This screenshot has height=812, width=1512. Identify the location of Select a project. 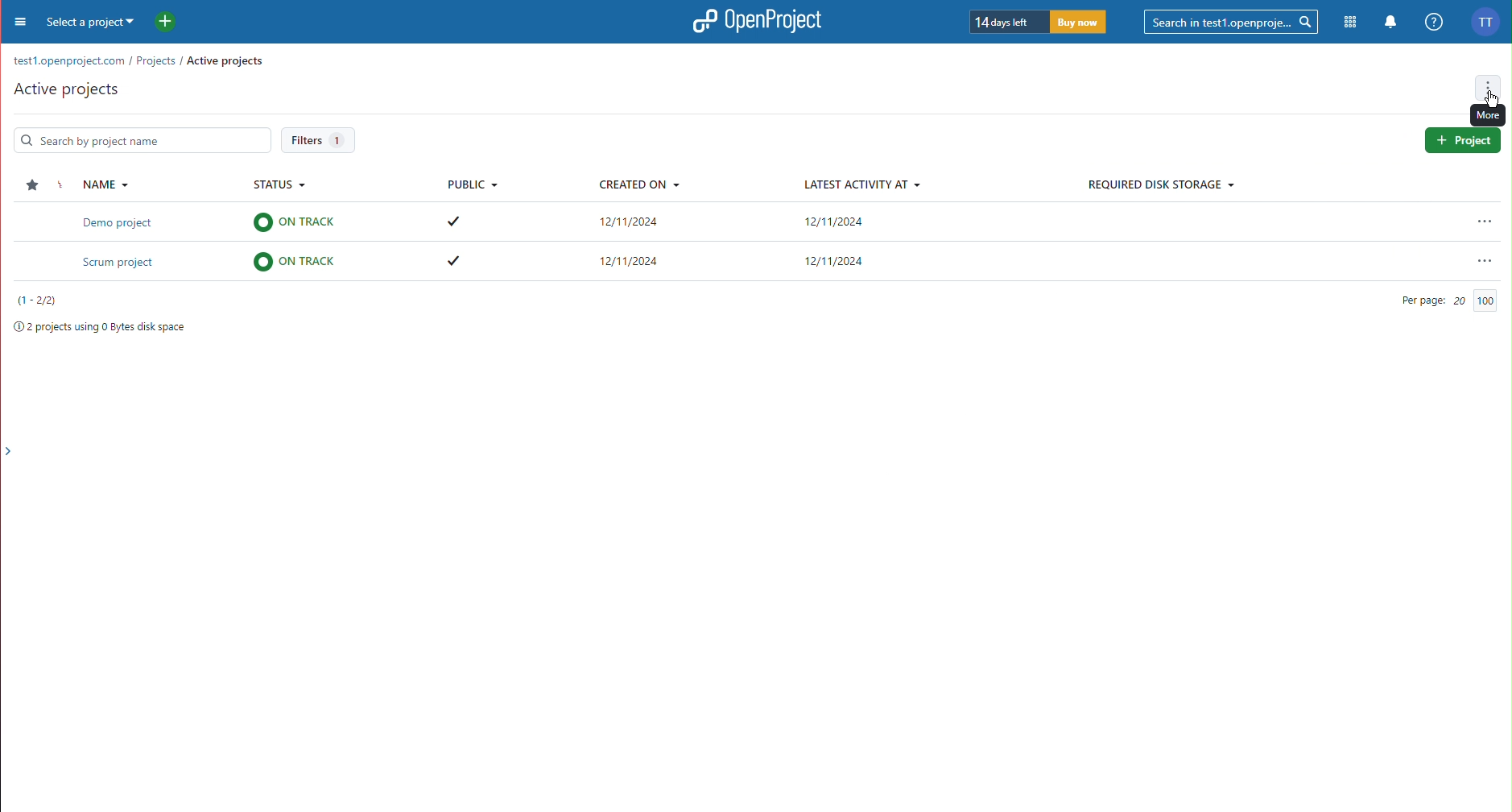
(111, 22).